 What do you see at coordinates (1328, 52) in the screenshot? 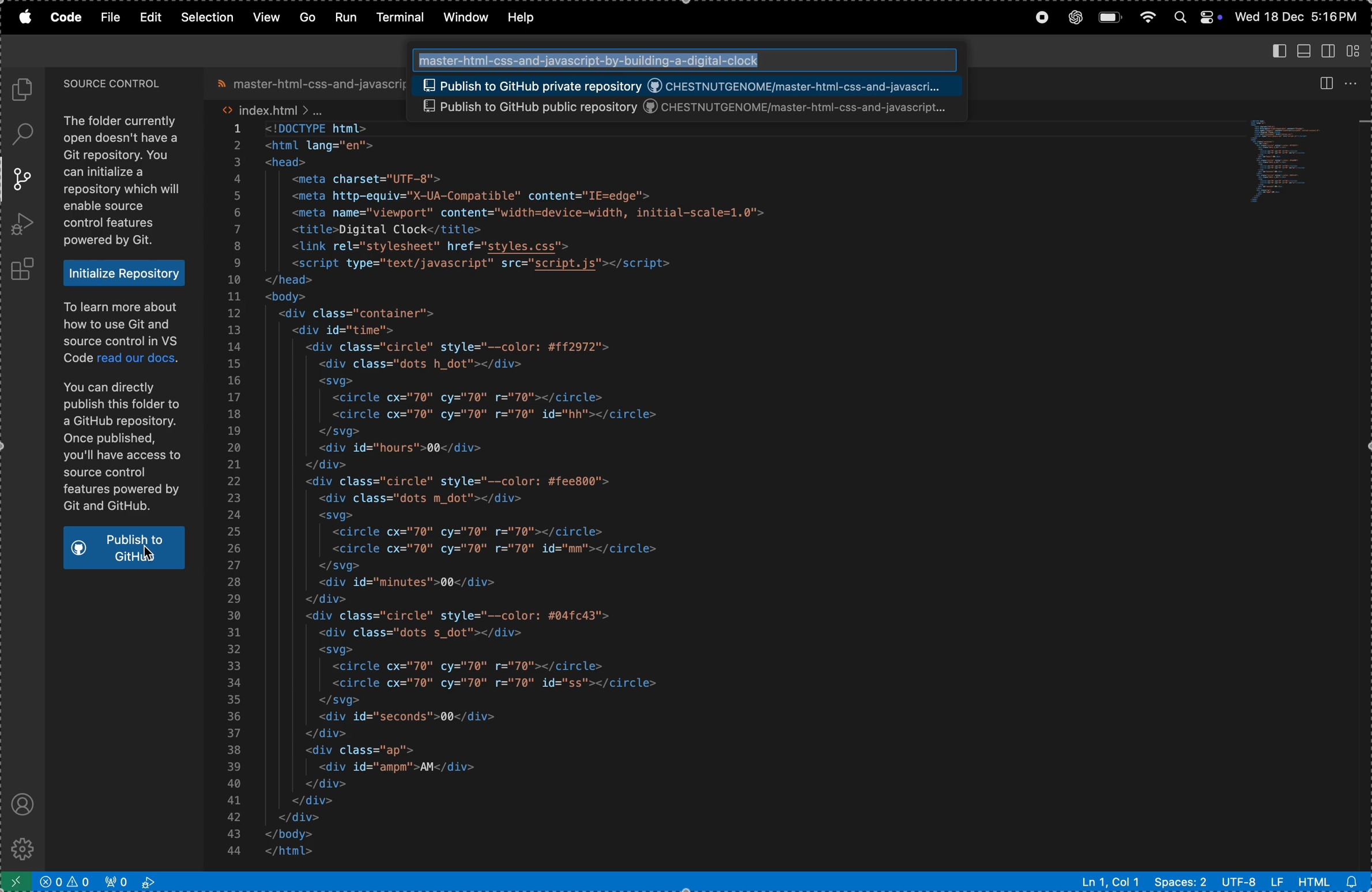
I see `secondary side bar` at bounding box center [1328, 52].